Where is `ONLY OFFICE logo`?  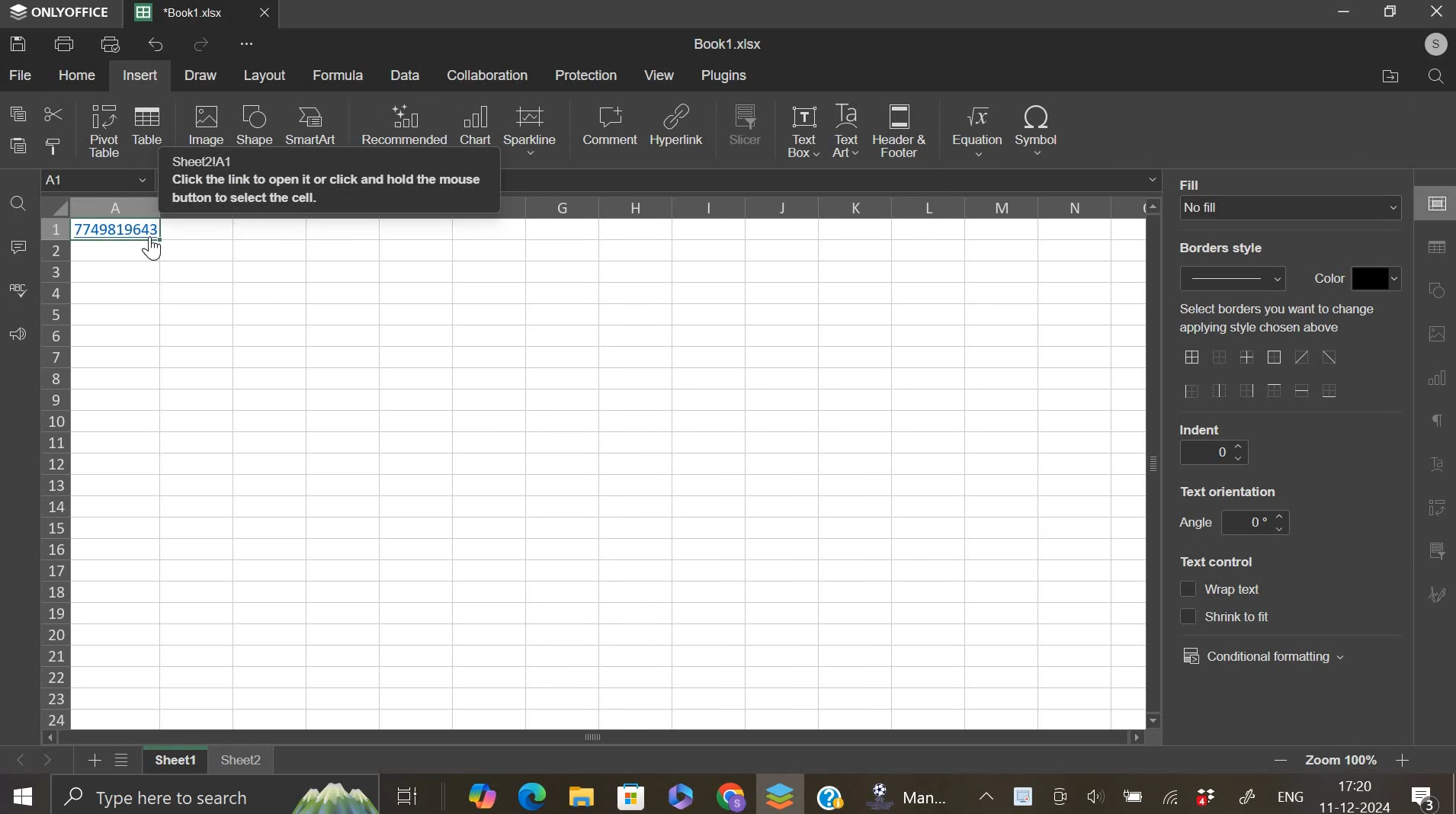 ONLY OFFICE logo is located at coordinates (60, 11).